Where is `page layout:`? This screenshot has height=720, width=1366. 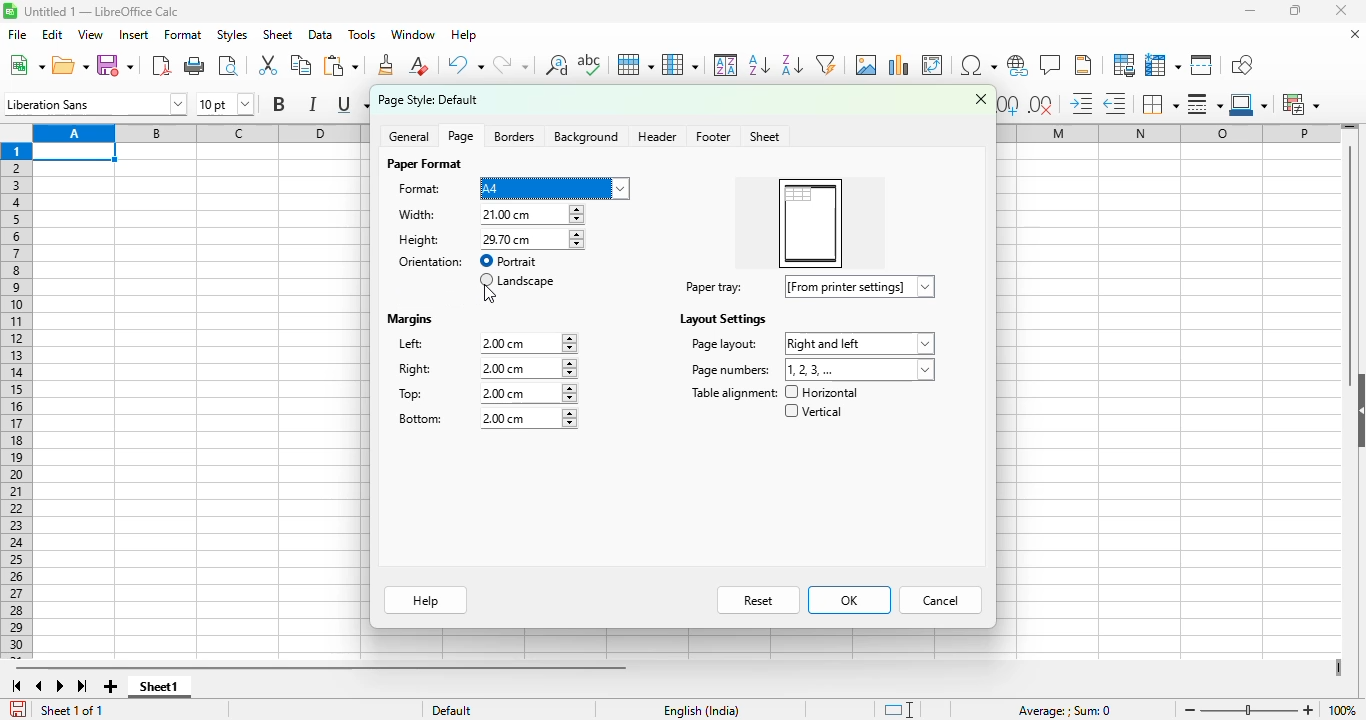 page layout: is located at coordinates (723, 344).